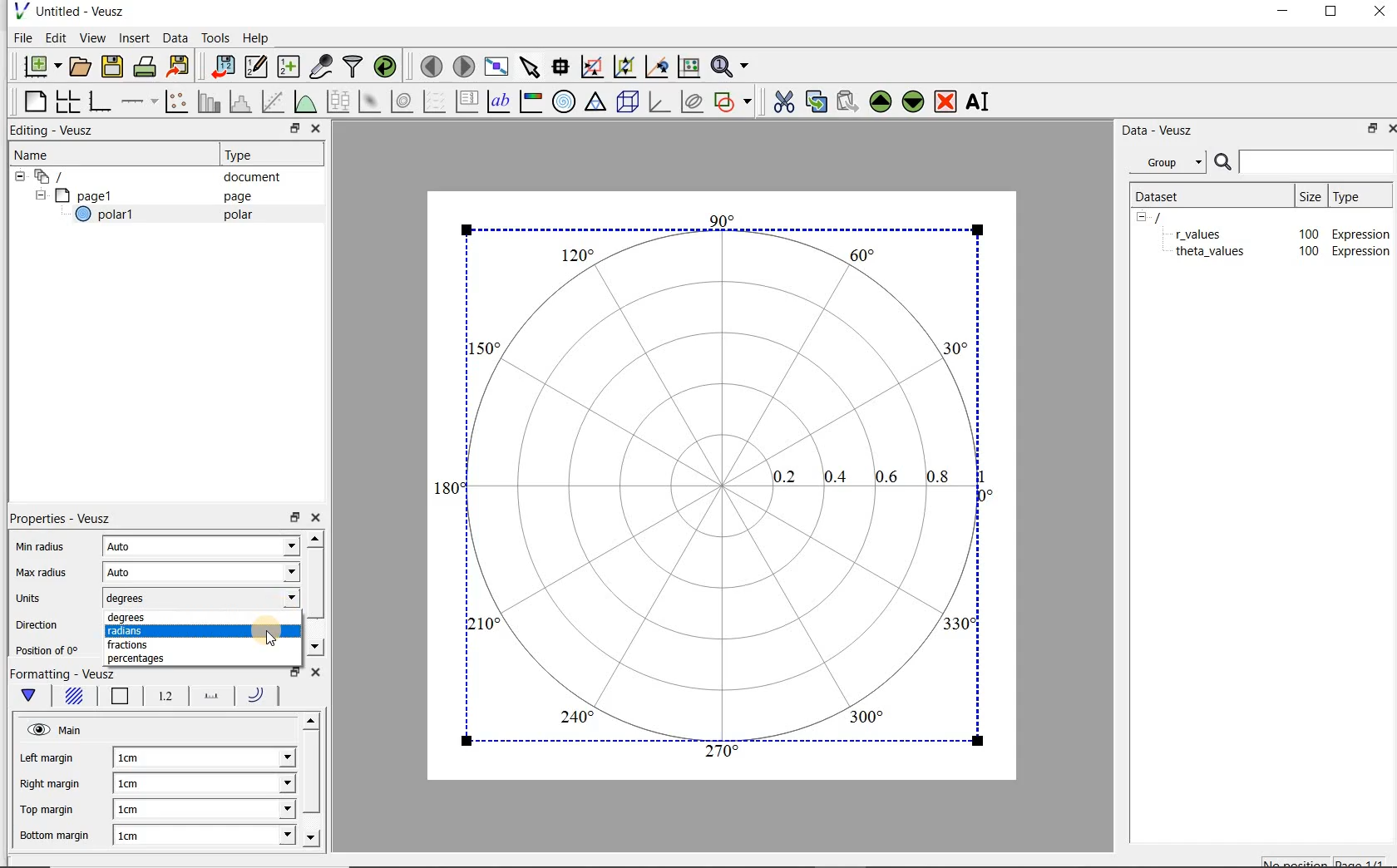 The height and width of the screenshot is (868, 1397). What do you see at coordinates (55, 37) in the screenshot?
I see `Edit` at bounding box center [55, 37].